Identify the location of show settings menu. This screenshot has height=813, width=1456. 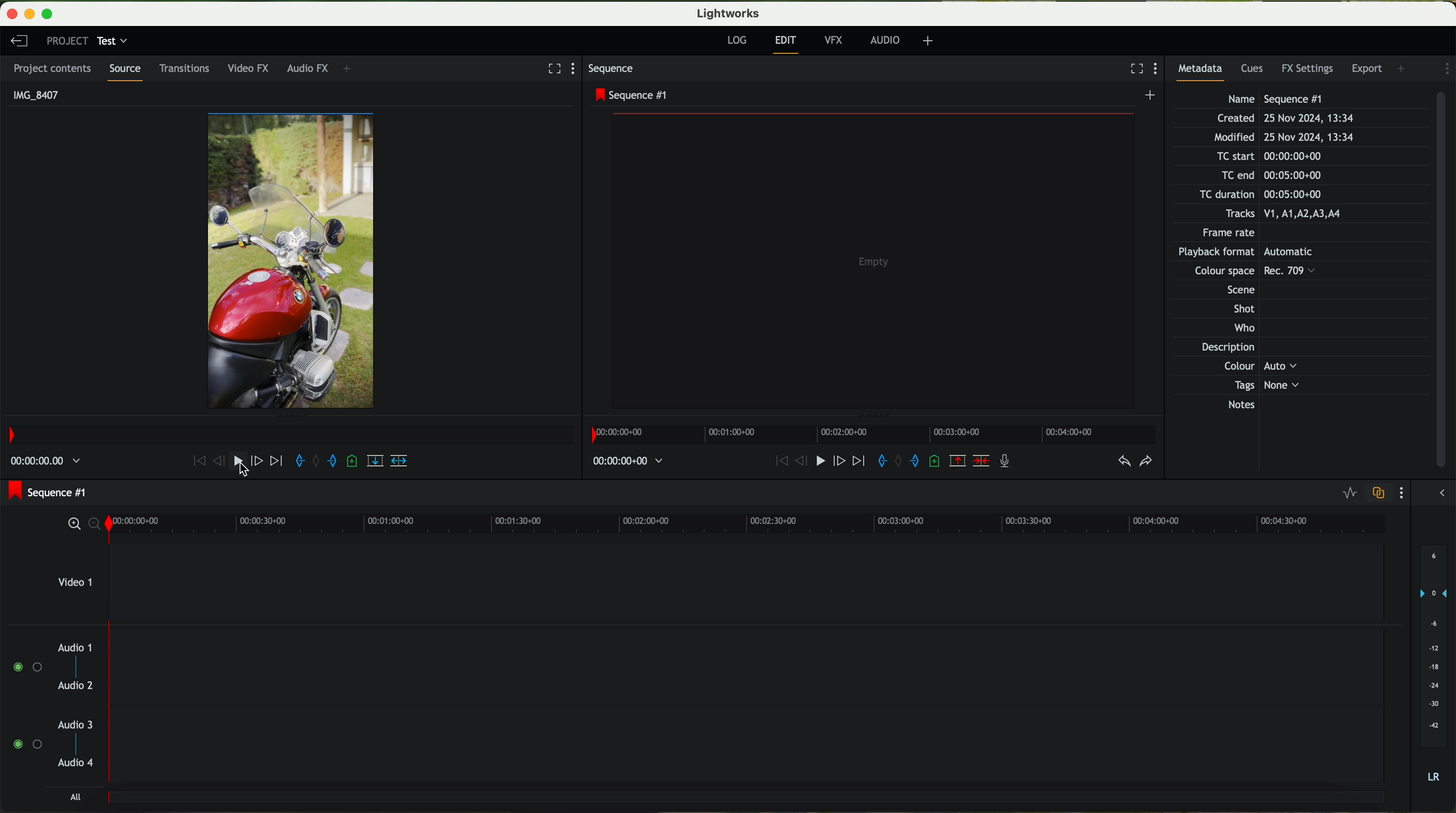
(578, 69).